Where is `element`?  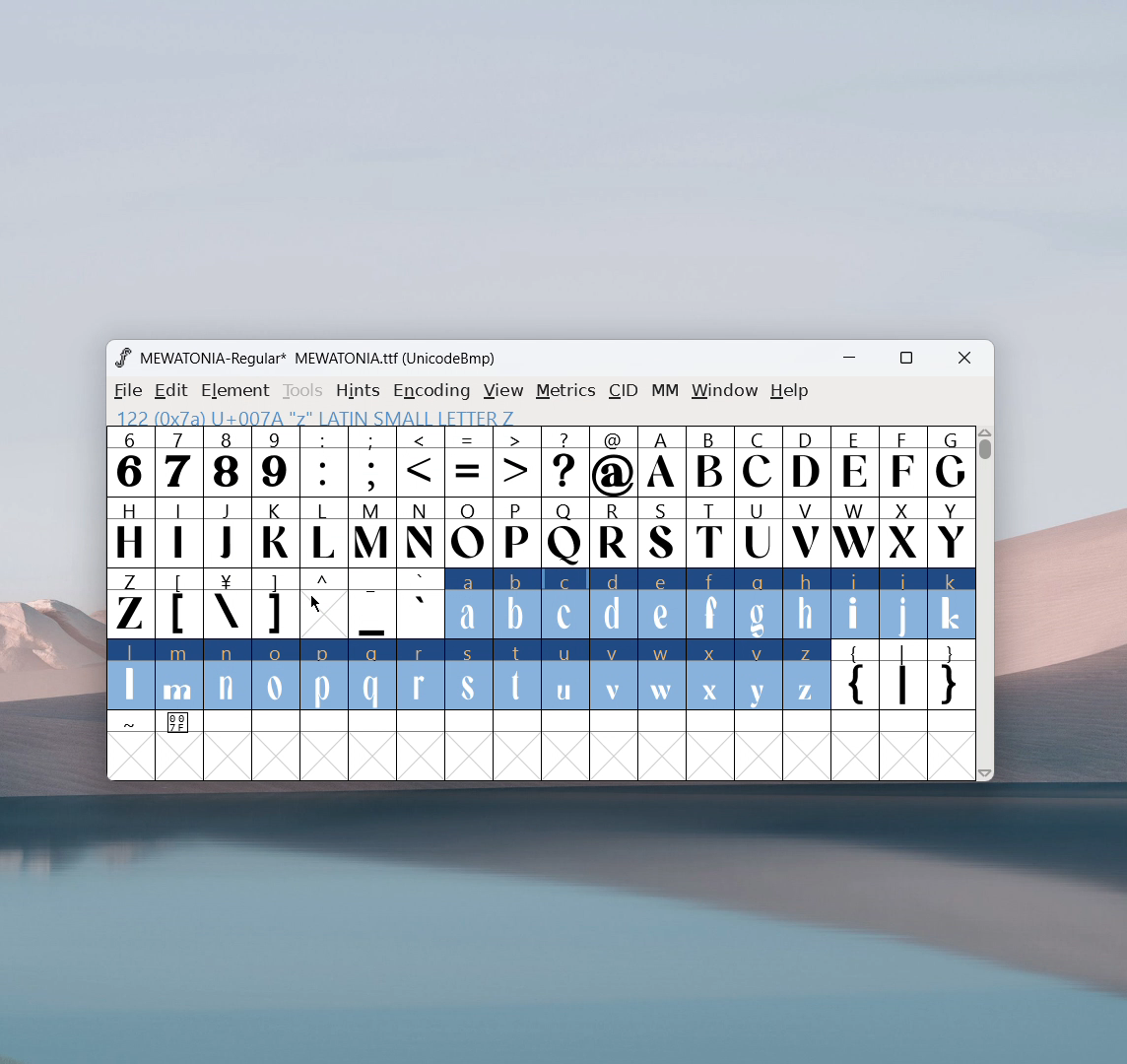
element is located at coordinates (235, 391).